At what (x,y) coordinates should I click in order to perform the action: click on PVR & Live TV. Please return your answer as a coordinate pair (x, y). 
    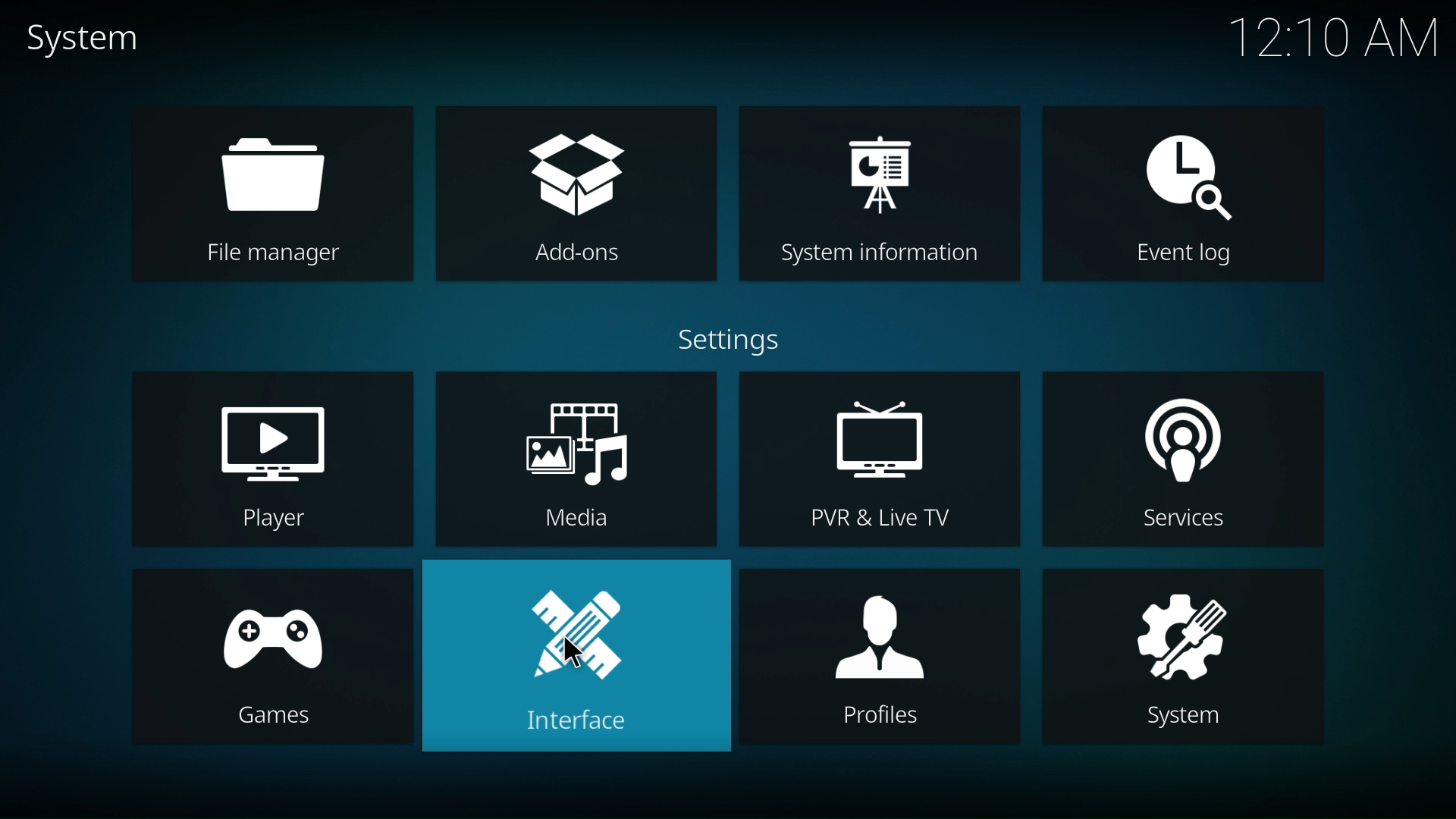
    Looking at the image, I should click on (877, 461).